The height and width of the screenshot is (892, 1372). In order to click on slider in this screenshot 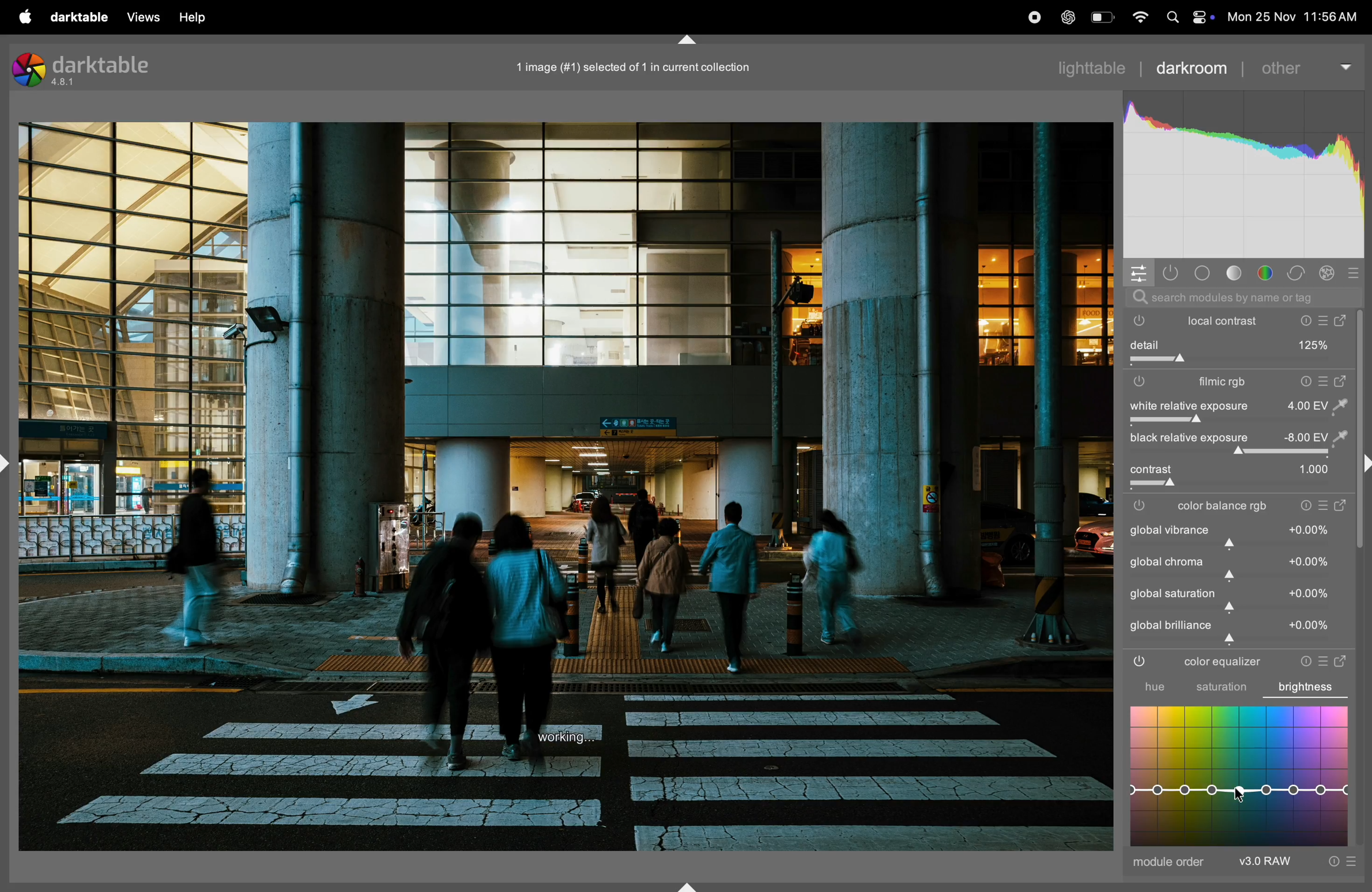, I will do `click(1243, 641)`.